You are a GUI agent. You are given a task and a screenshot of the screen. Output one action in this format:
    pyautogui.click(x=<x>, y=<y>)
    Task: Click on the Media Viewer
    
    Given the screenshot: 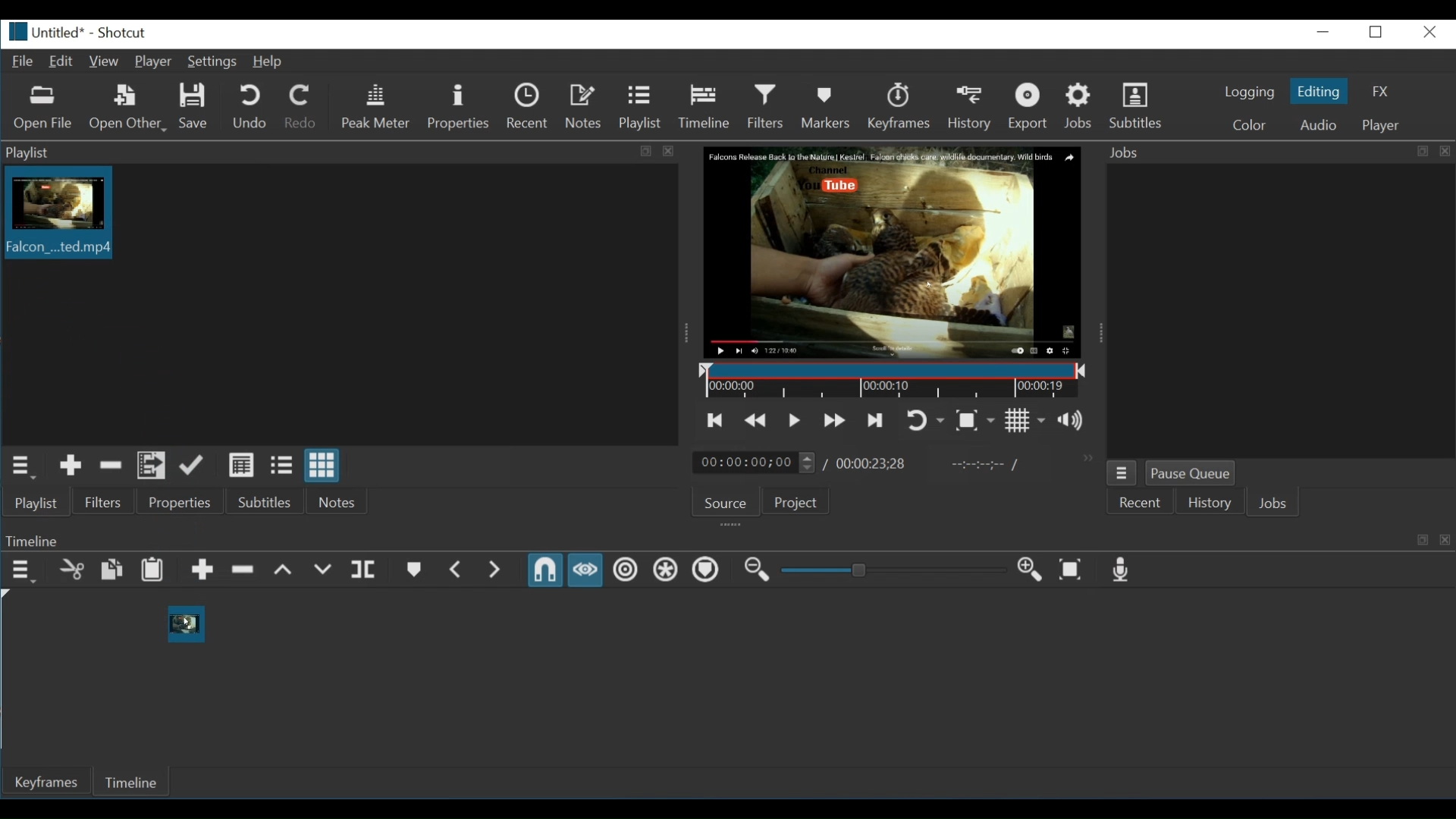 What is the action you would take?
    pyautogui.click(x=894, y=253)
    